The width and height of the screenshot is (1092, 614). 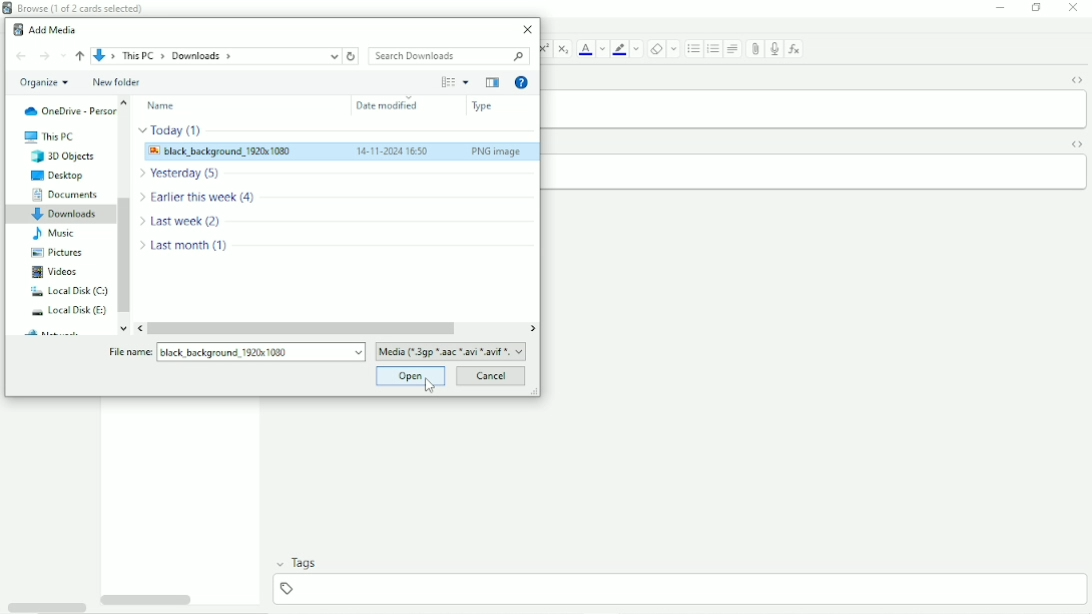 What do you see at coordinates (448, 56) in the screenshot?
I see `Search Downloads` at bounding box center [448, 56].